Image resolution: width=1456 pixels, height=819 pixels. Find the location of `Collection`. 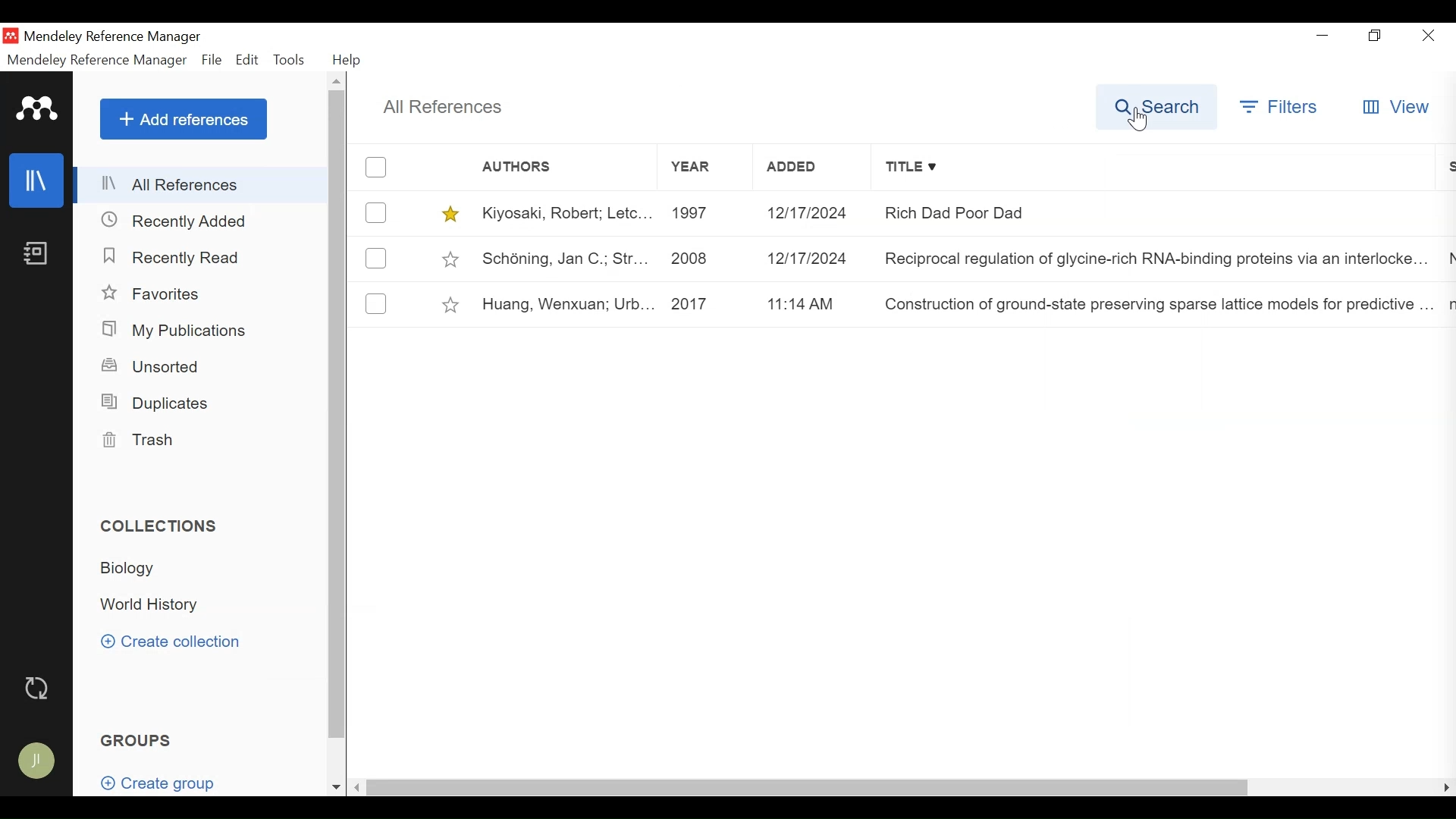

Collection is located at coordinates (157, 605).